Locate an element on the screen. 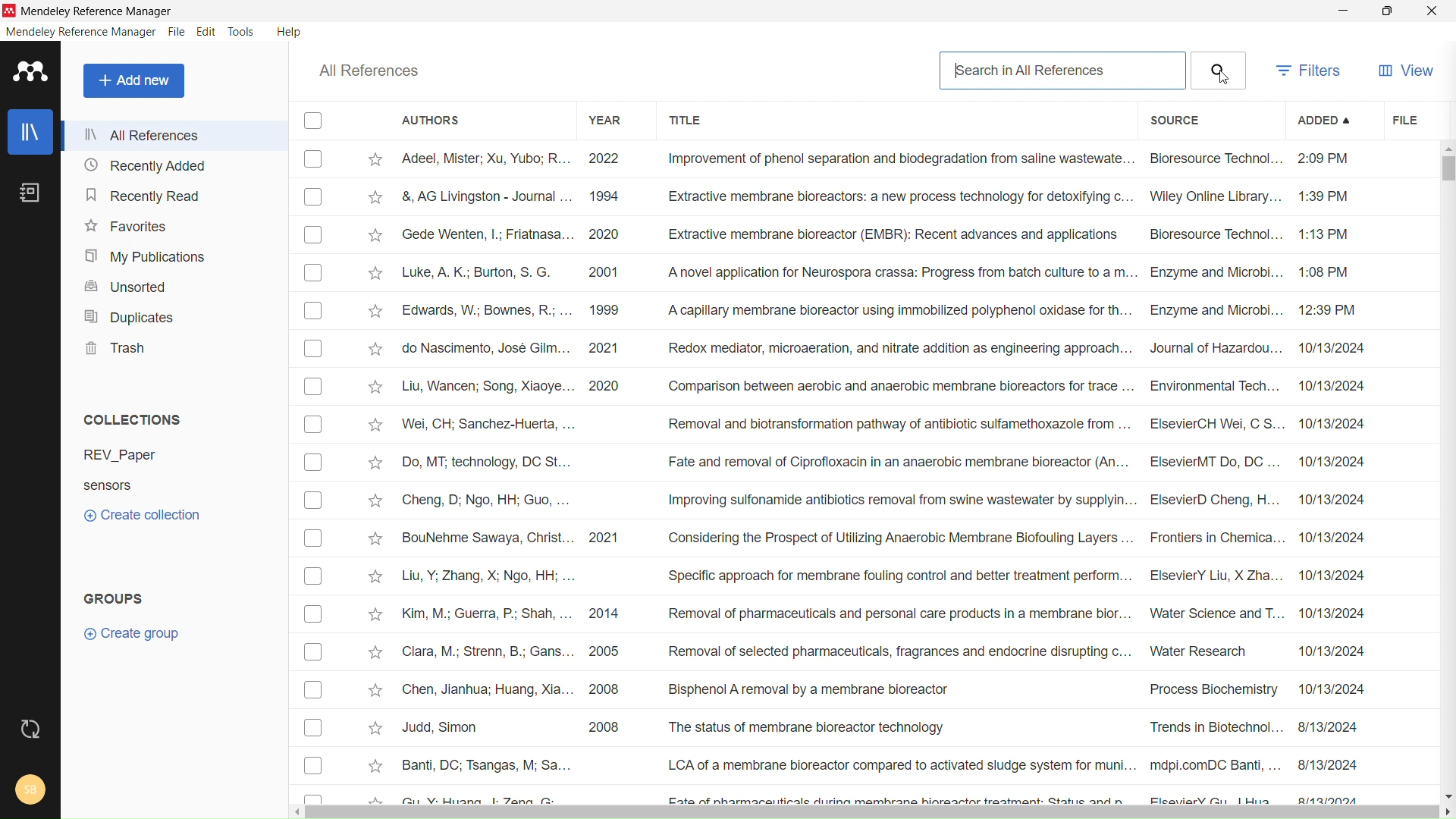 The height and width of the screenshot is (819, 1456). Search is located at coordinates (1216, 70).